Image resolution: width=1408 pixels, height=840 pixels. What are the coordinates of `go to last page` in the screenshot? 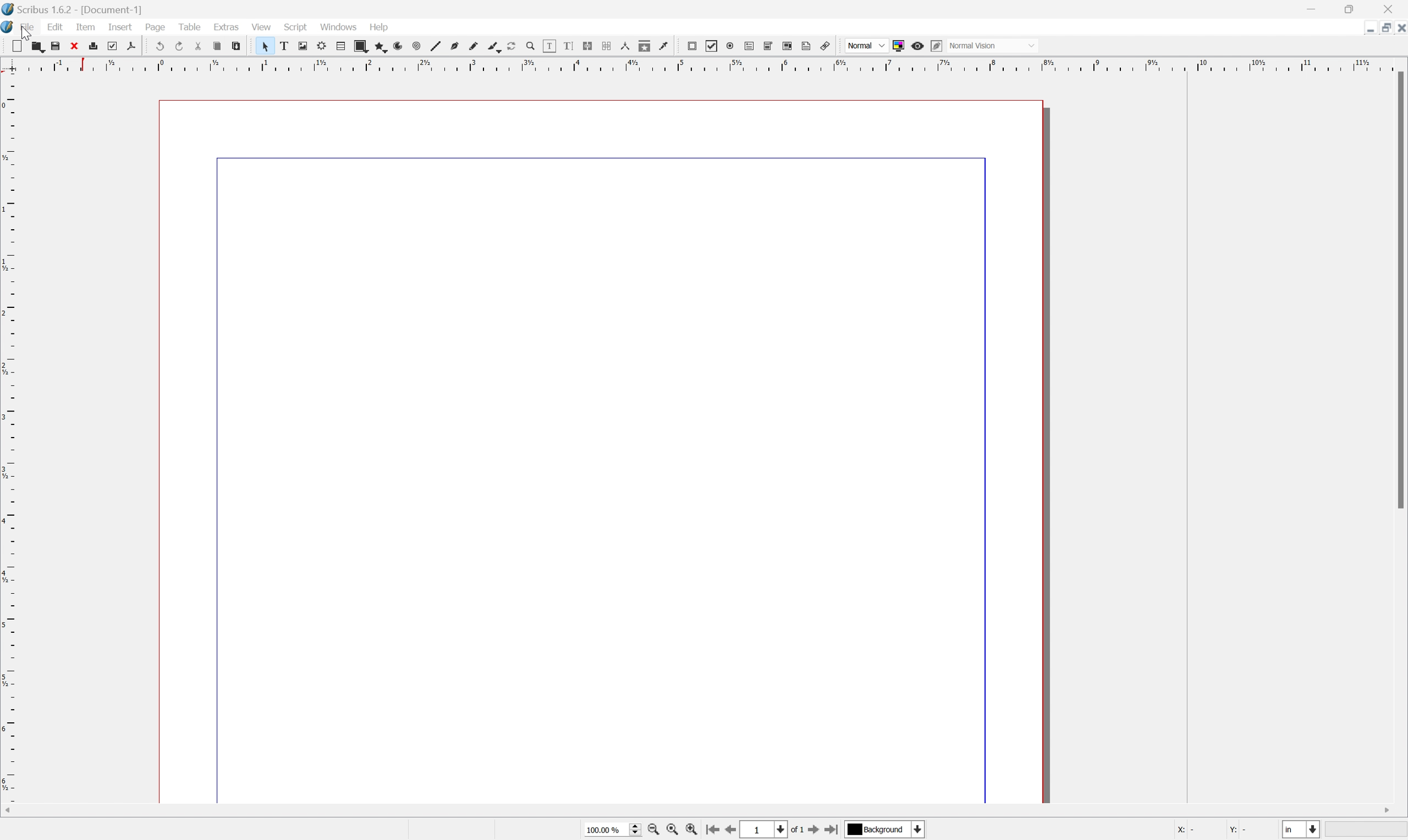 It's located at (833, 830).